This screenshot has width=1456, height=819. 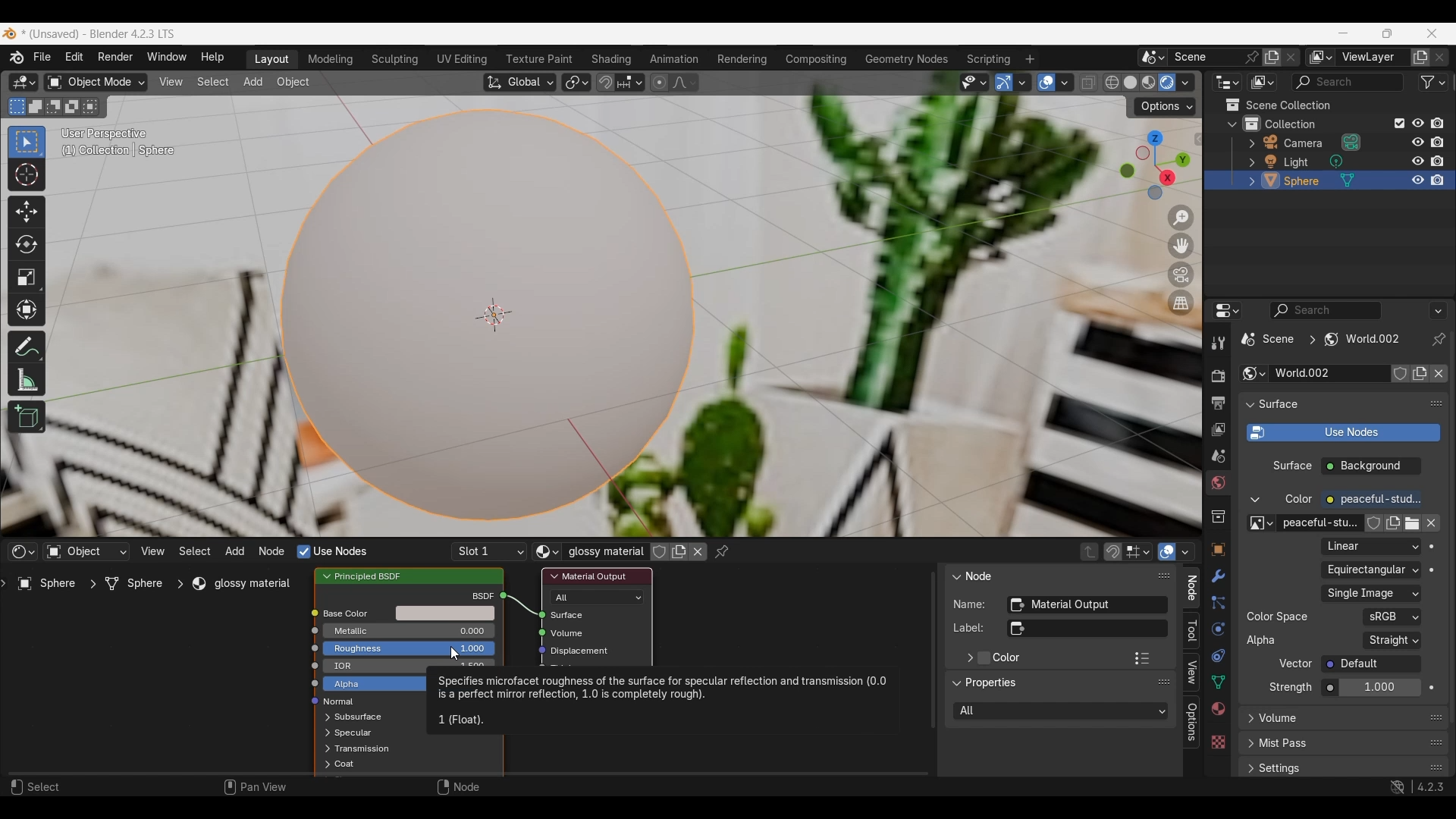 What do you see at coordinates (1327, 105) in the screenshot?
I see `Scene collection` at bounding box center [1327, 105].